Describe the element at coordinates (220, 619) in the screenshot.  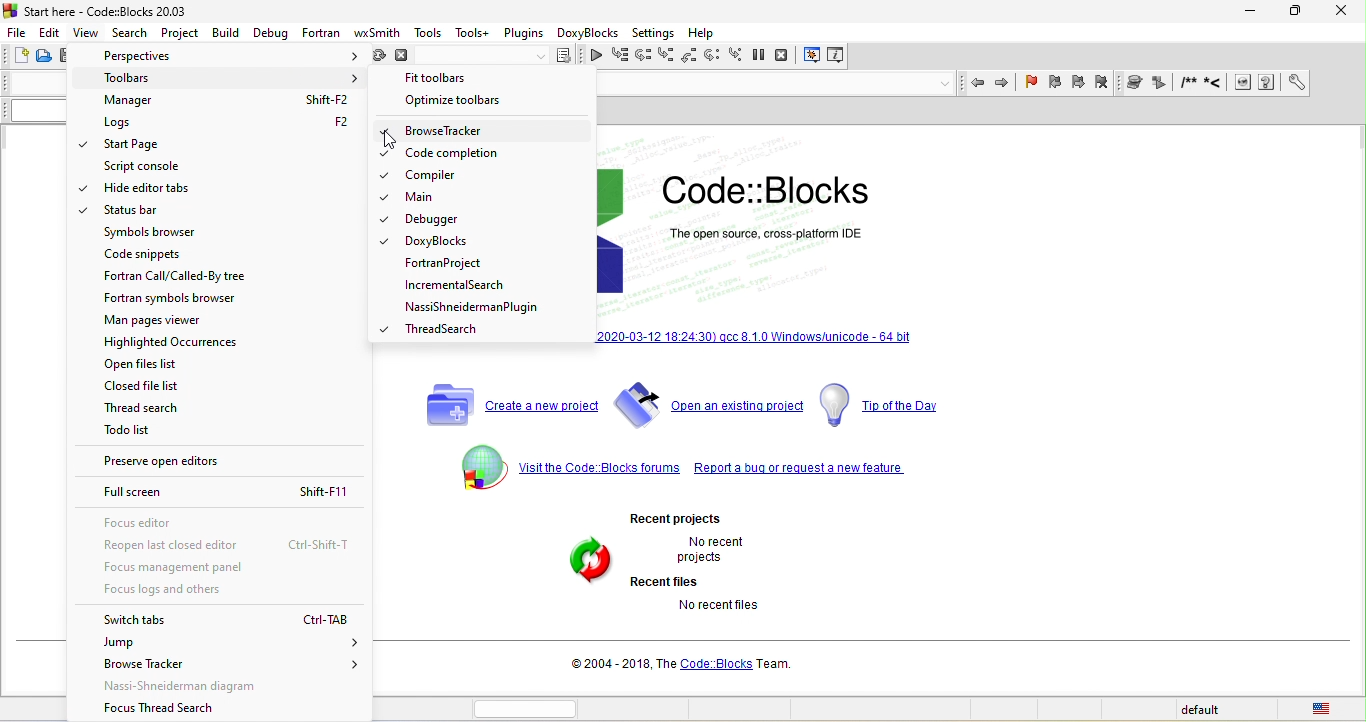
I see `switch tabs` at that location.